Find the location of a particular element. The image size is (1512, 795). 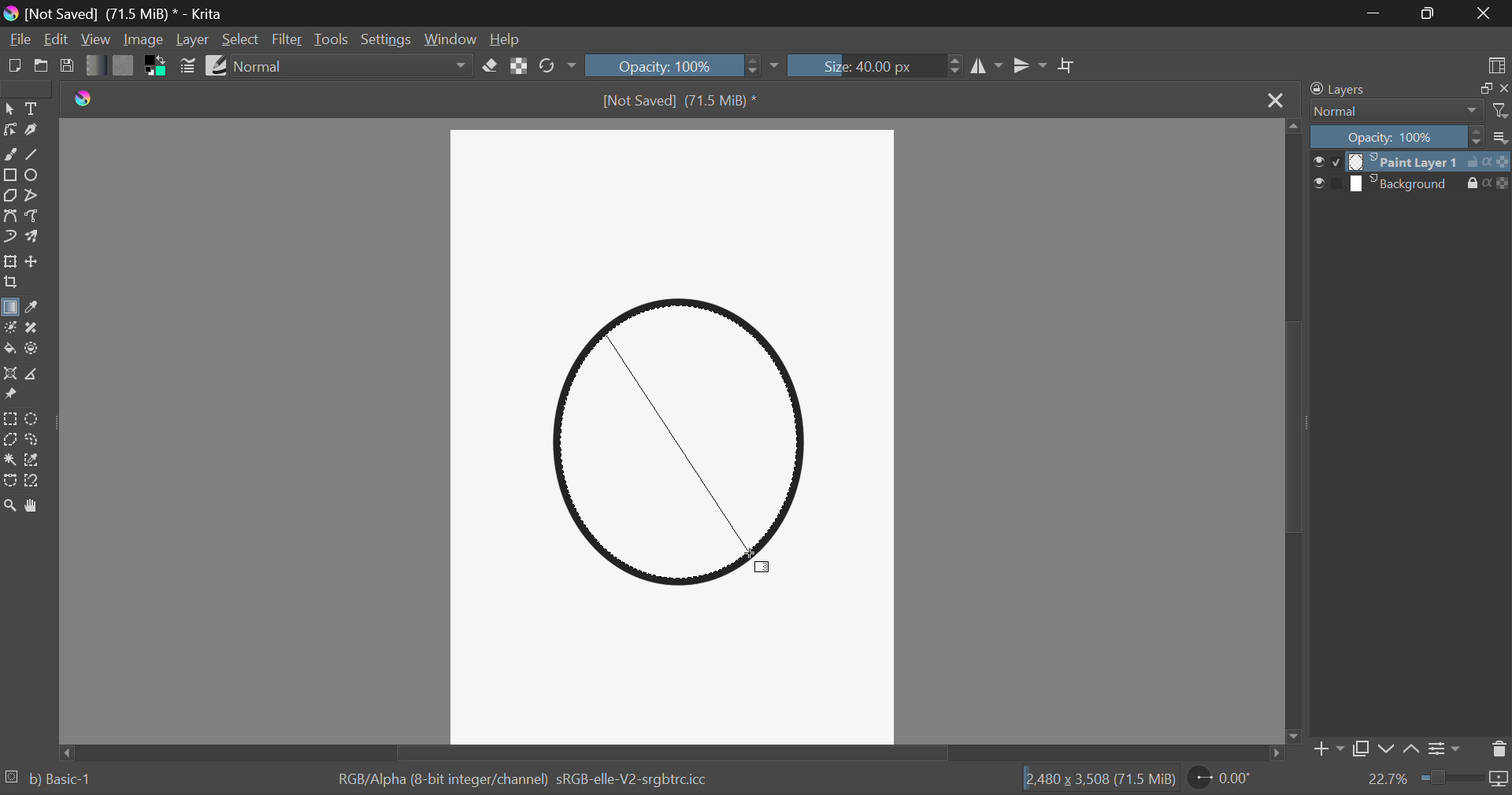

Zoom is located at coordinates (11, 507).